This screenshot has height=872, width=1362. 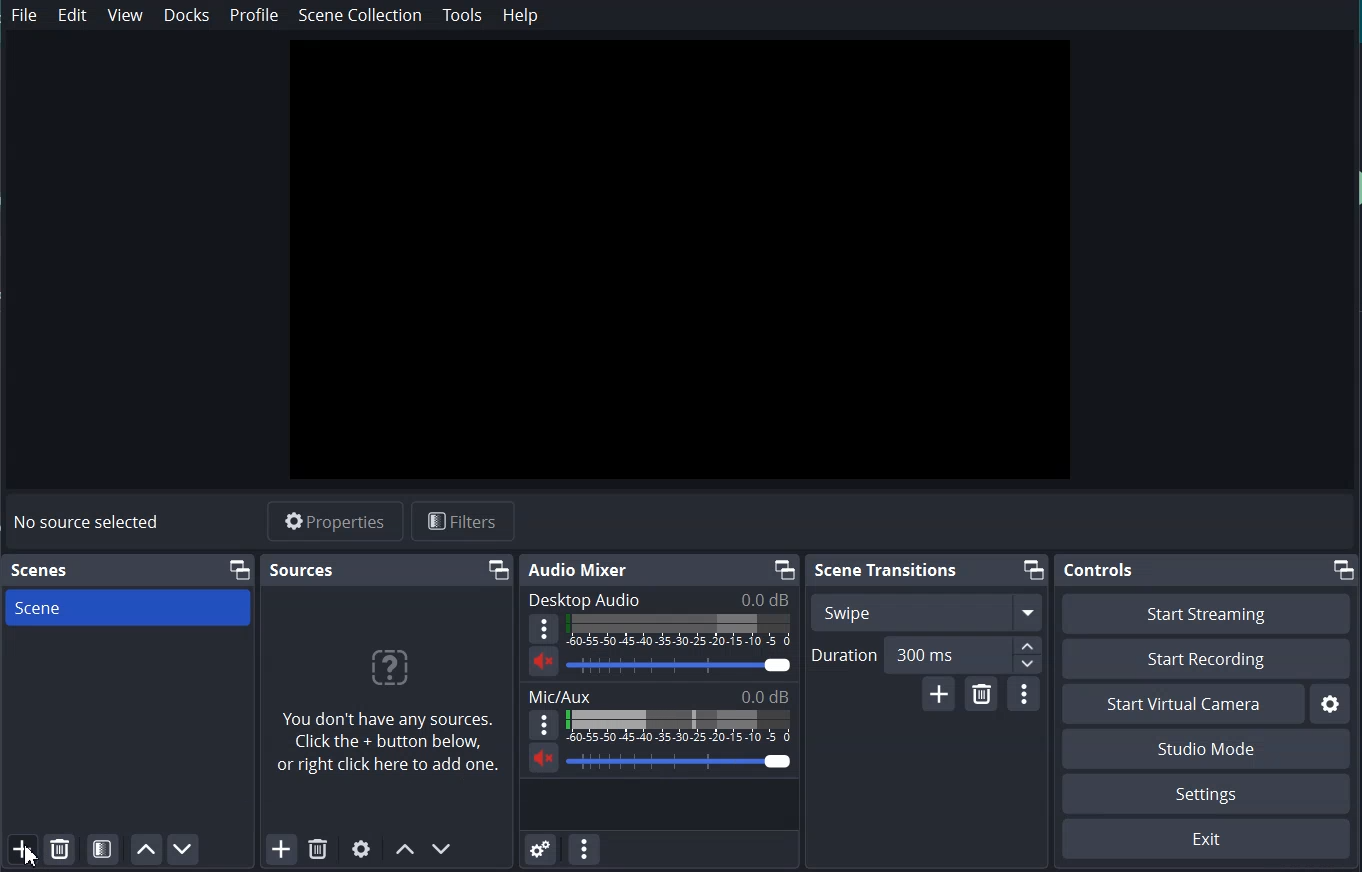 What do you see at coordinates (239, 570) in the screenshot?
I see `Maximize` at bounding box center [239, 570].